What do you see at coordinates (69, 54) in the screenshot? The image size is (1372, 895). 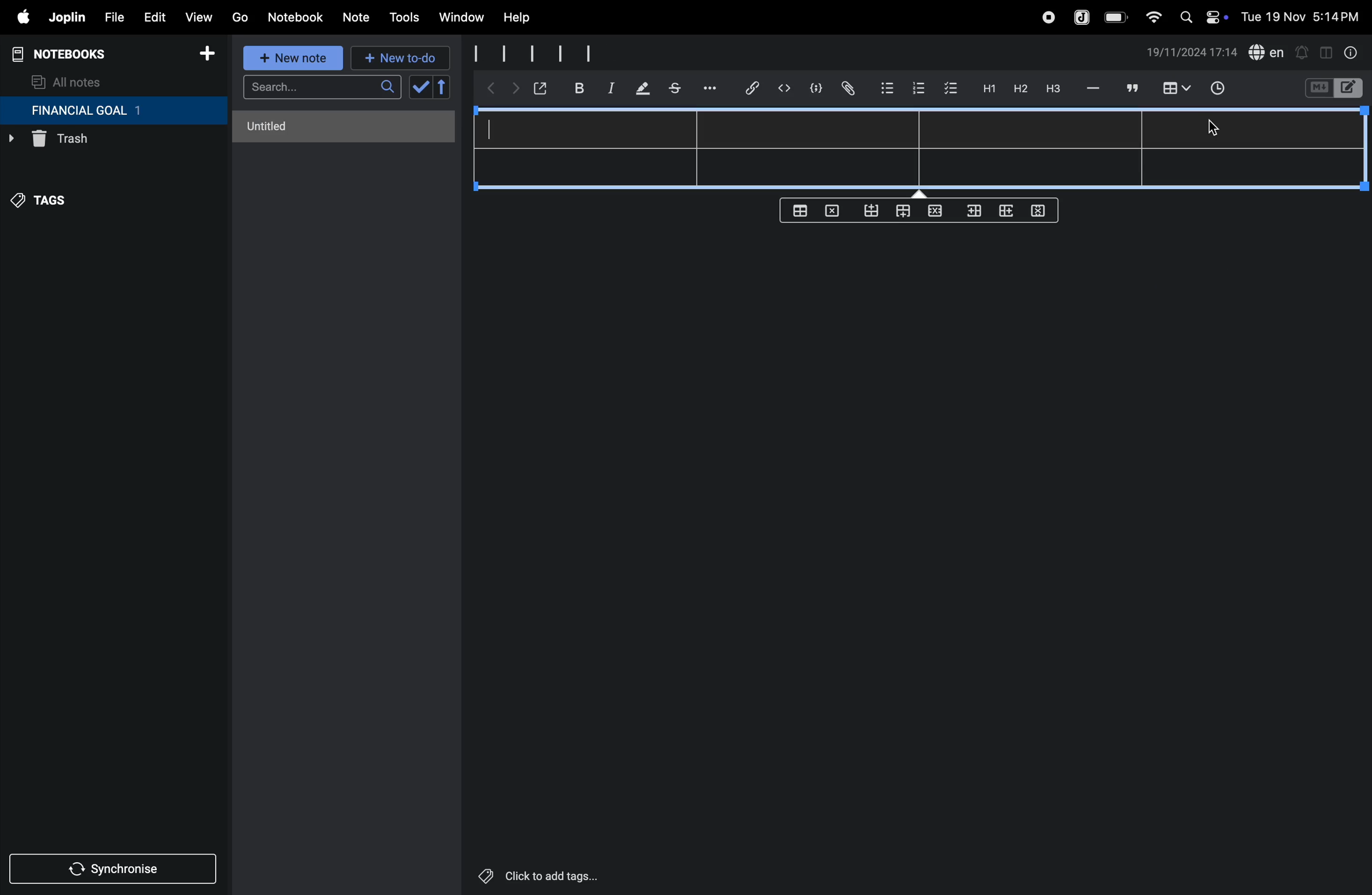 I see `notebooks` at bounding box center [69, 54].